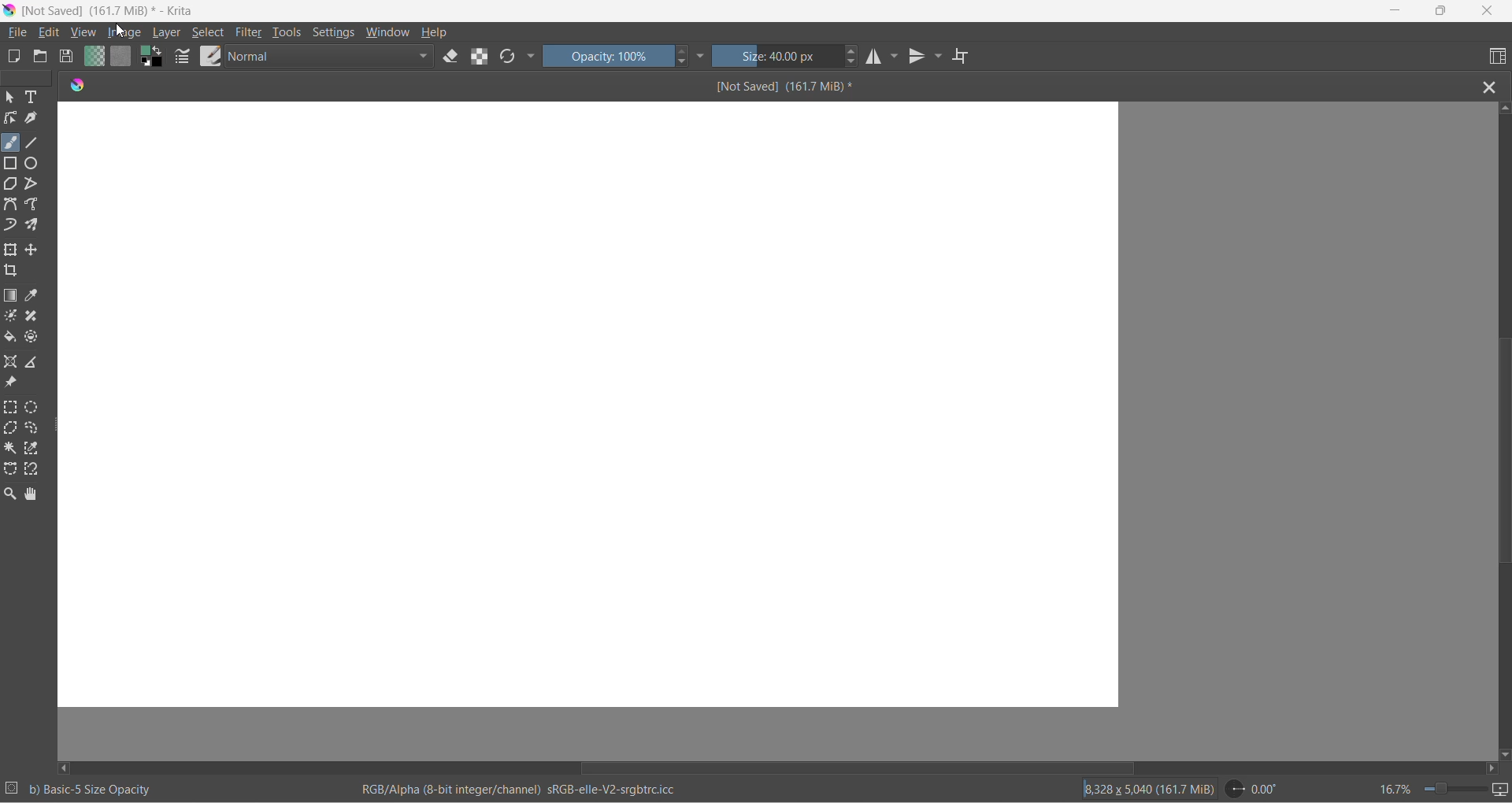 This screenshot has width=1512, height=803. Describe the element at coordinates (13, 494) in the screenshot. I see `zoom tool` at that location.